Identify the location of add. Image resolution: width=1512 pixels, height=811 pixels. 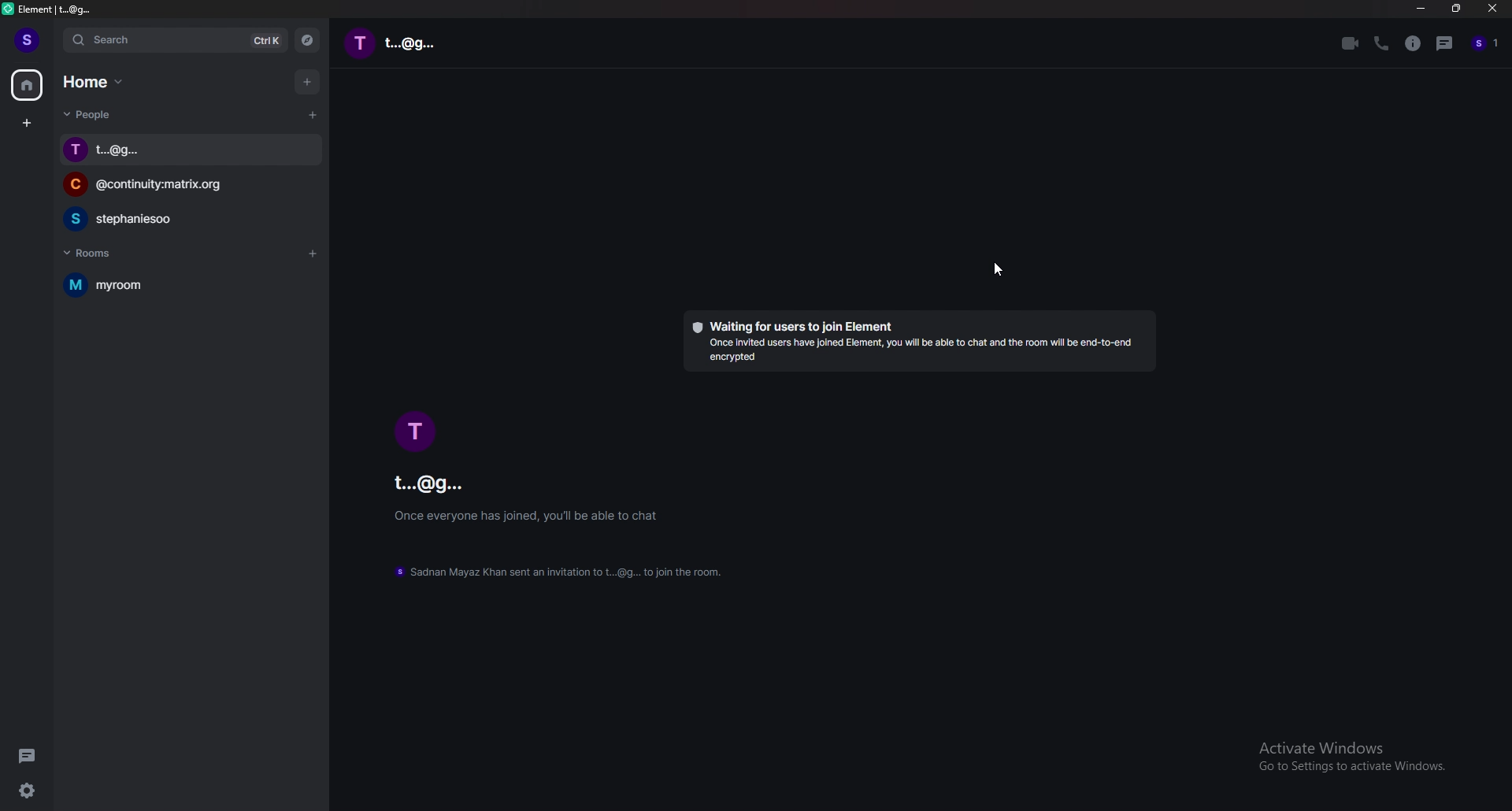
(306, 79).